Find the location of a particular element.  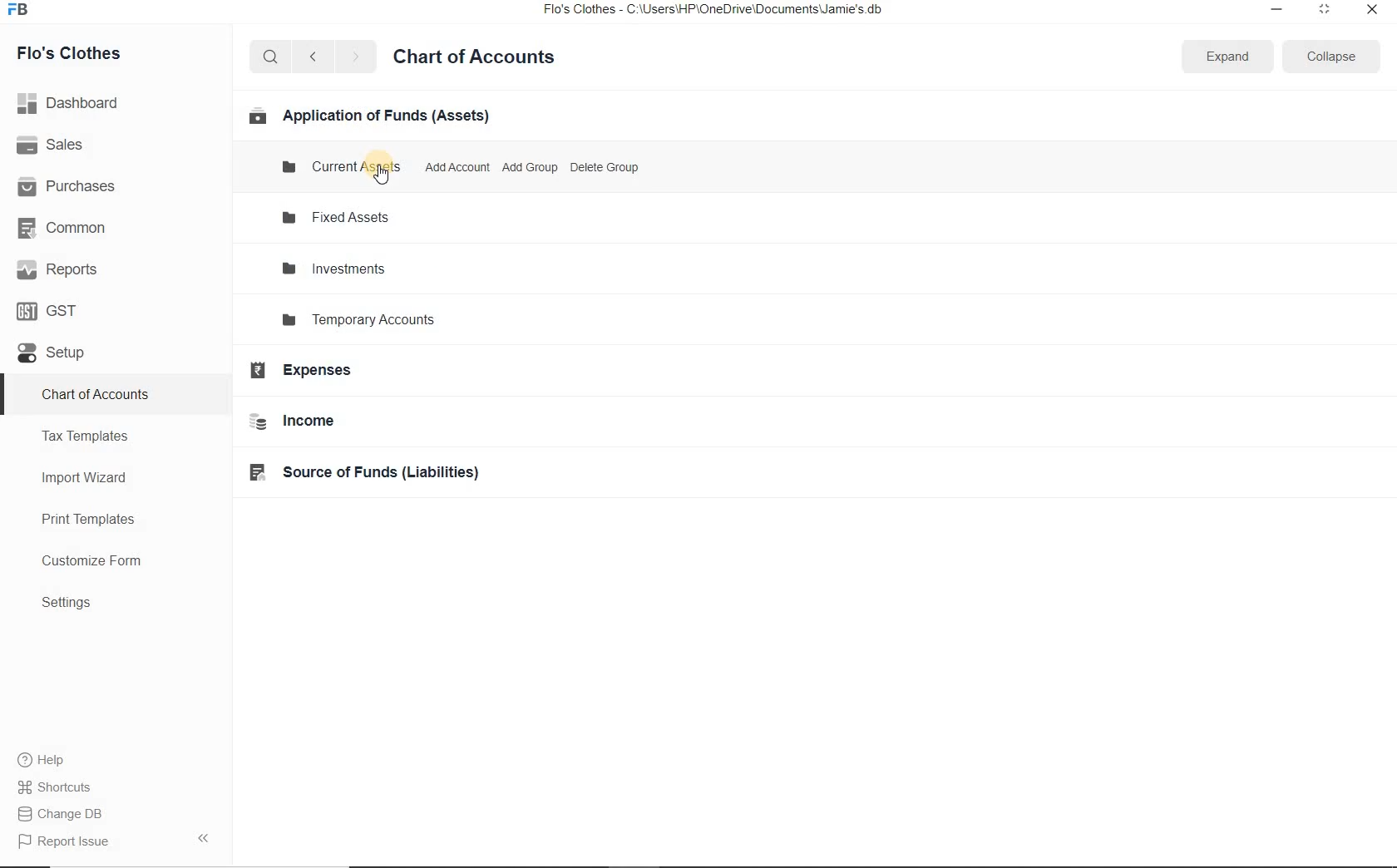

search is located at coordinates (271, 57).